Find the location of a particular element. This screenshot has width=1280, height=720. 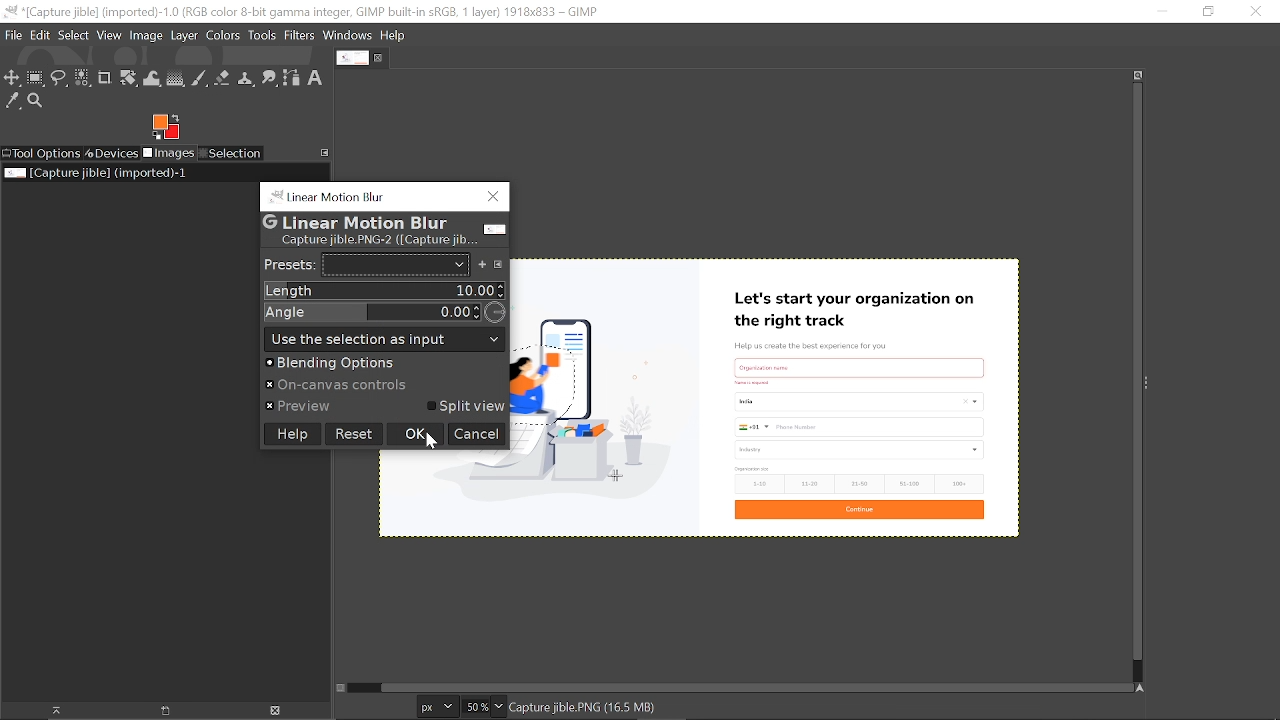

Images is located at coordinates (170, 154).